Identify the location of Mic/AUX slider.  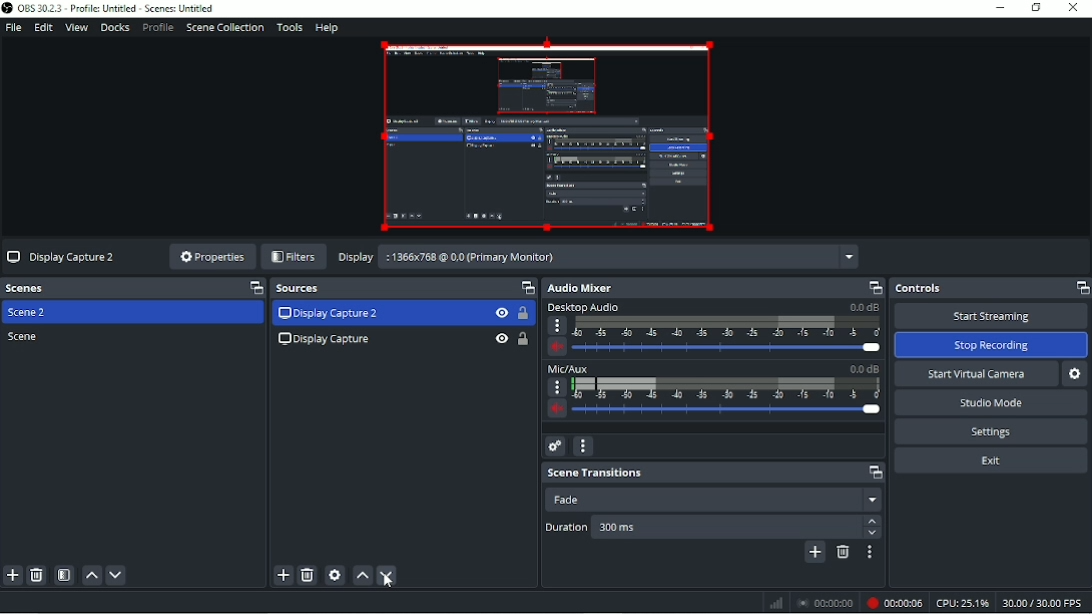
(713, 392).